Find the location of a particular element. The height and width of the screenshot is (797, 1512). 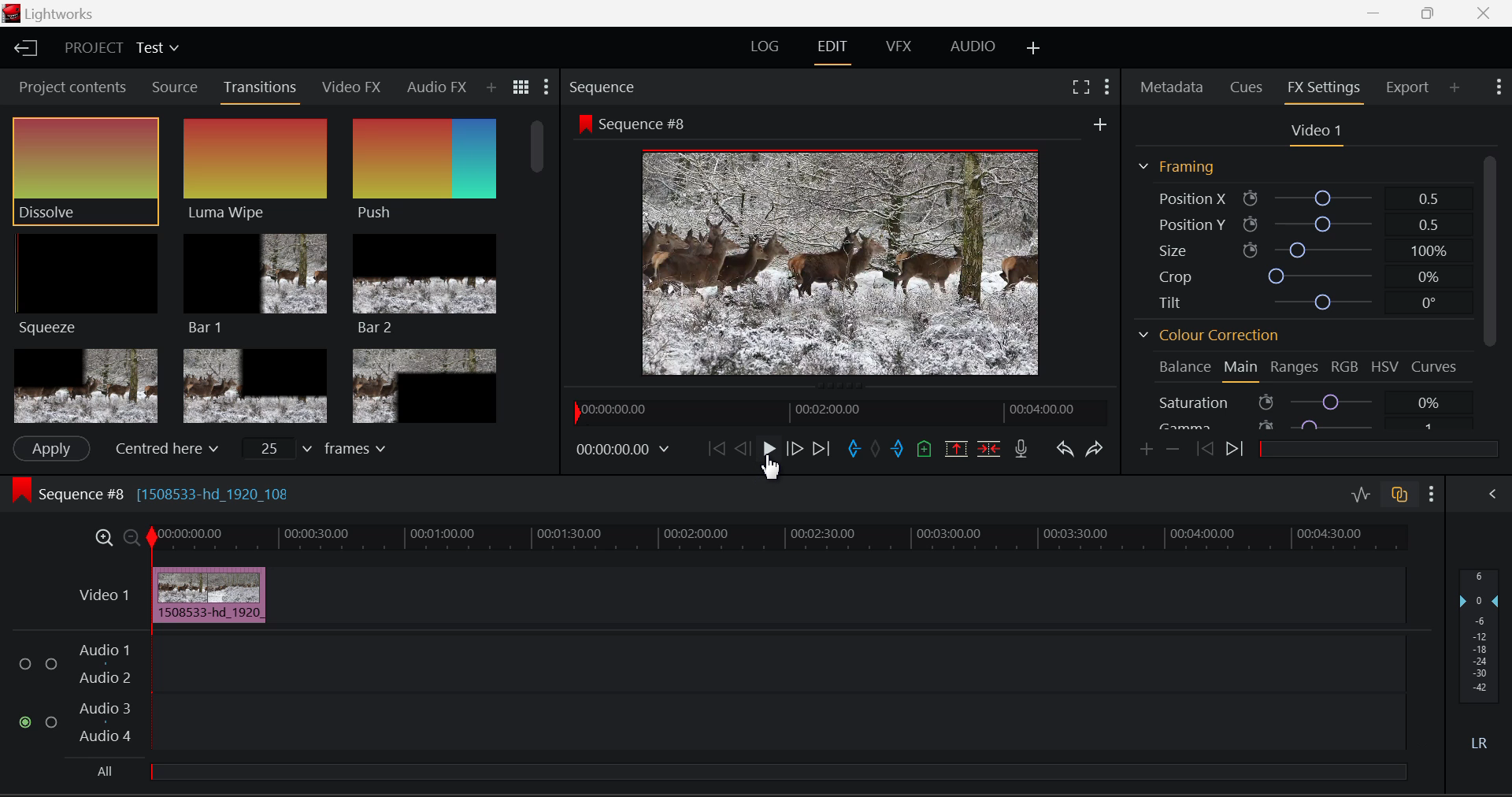

Project Timeline Navigator is located at coordinates (837, 411).